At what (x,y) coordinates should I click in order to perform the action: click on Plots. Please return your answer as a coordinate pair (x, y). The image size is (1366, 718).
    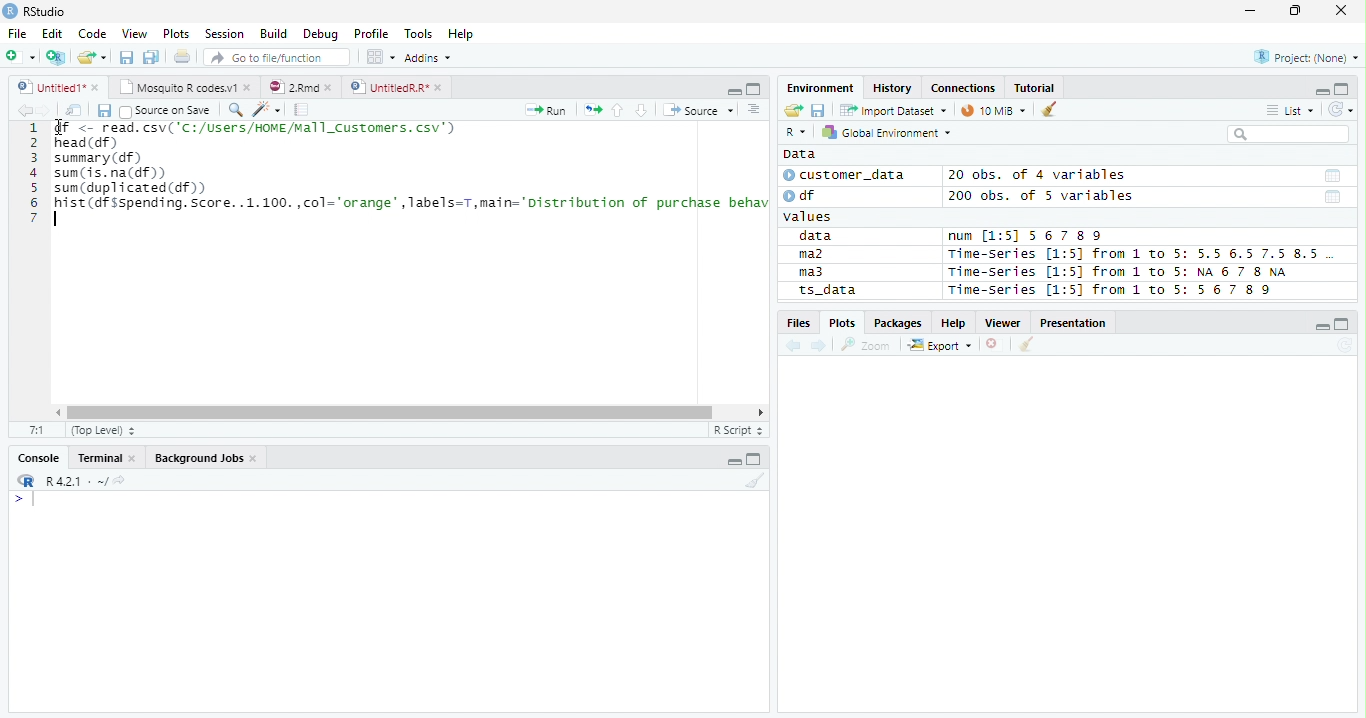
    Looking at the image, I should click on (842, 322).